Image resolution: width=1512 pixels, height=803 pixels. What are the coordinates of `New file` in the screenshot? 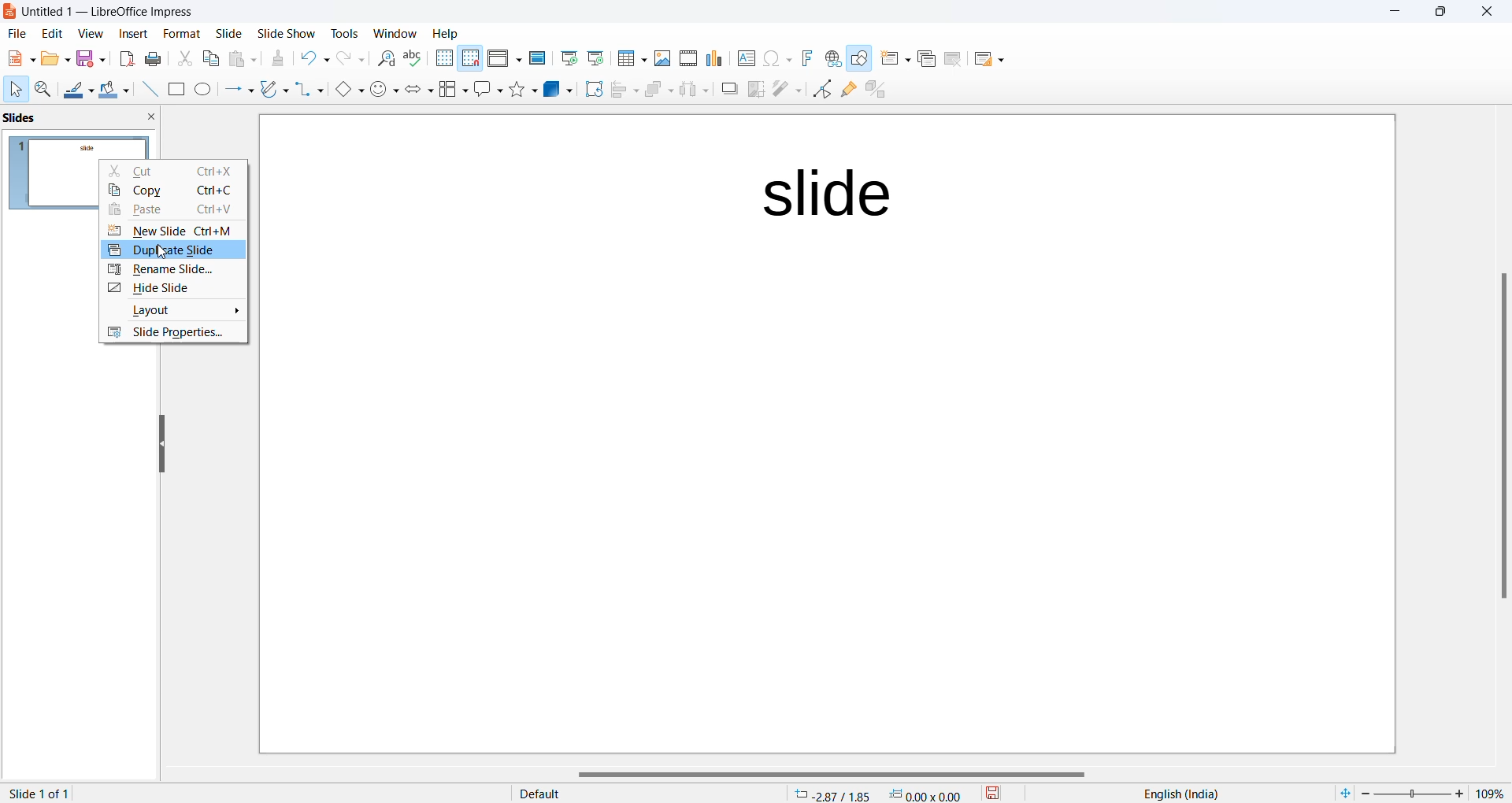 It's located at (18, 57).